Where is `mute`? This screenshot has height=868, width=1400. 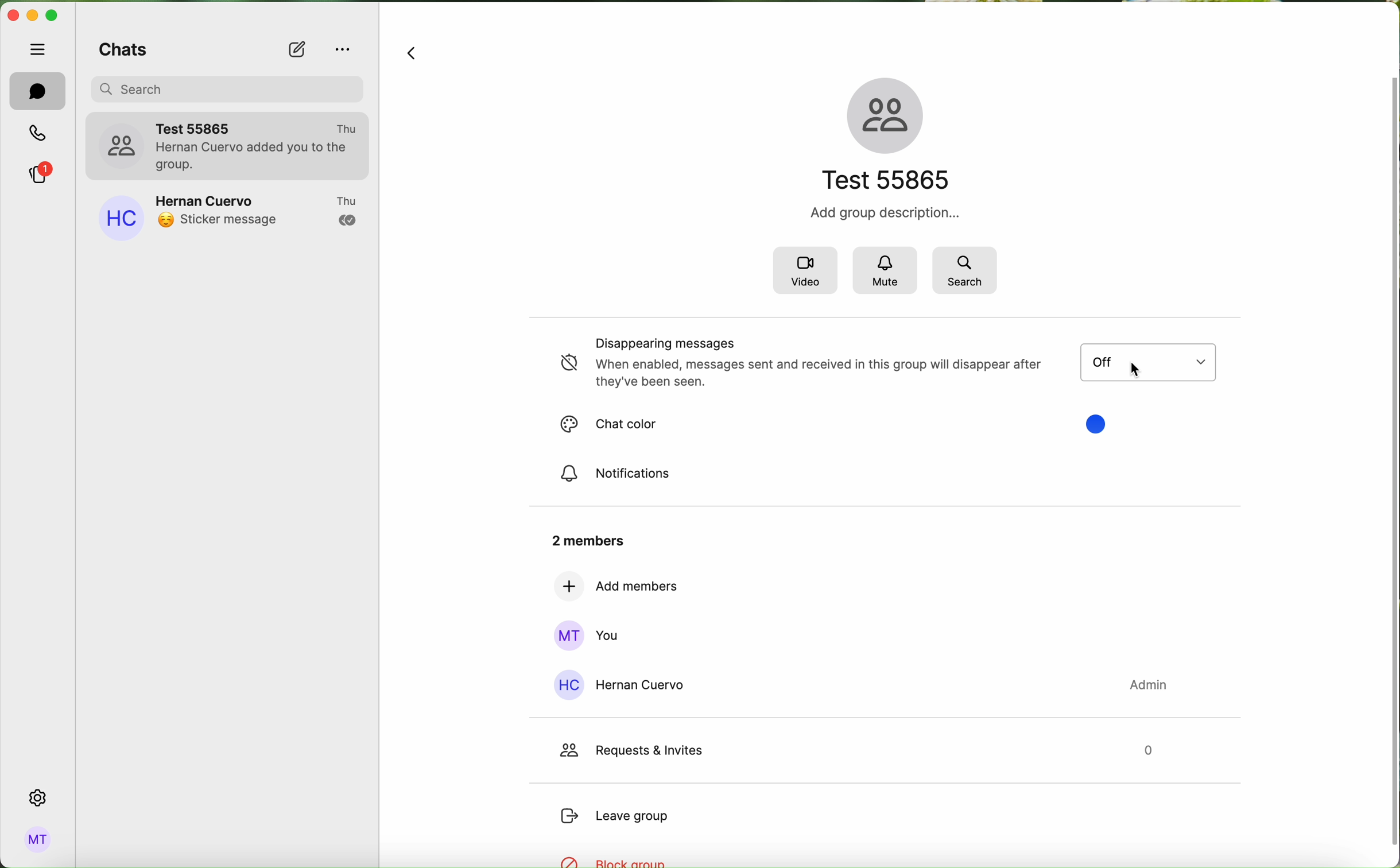 mute is located at coordinates (883, 270).